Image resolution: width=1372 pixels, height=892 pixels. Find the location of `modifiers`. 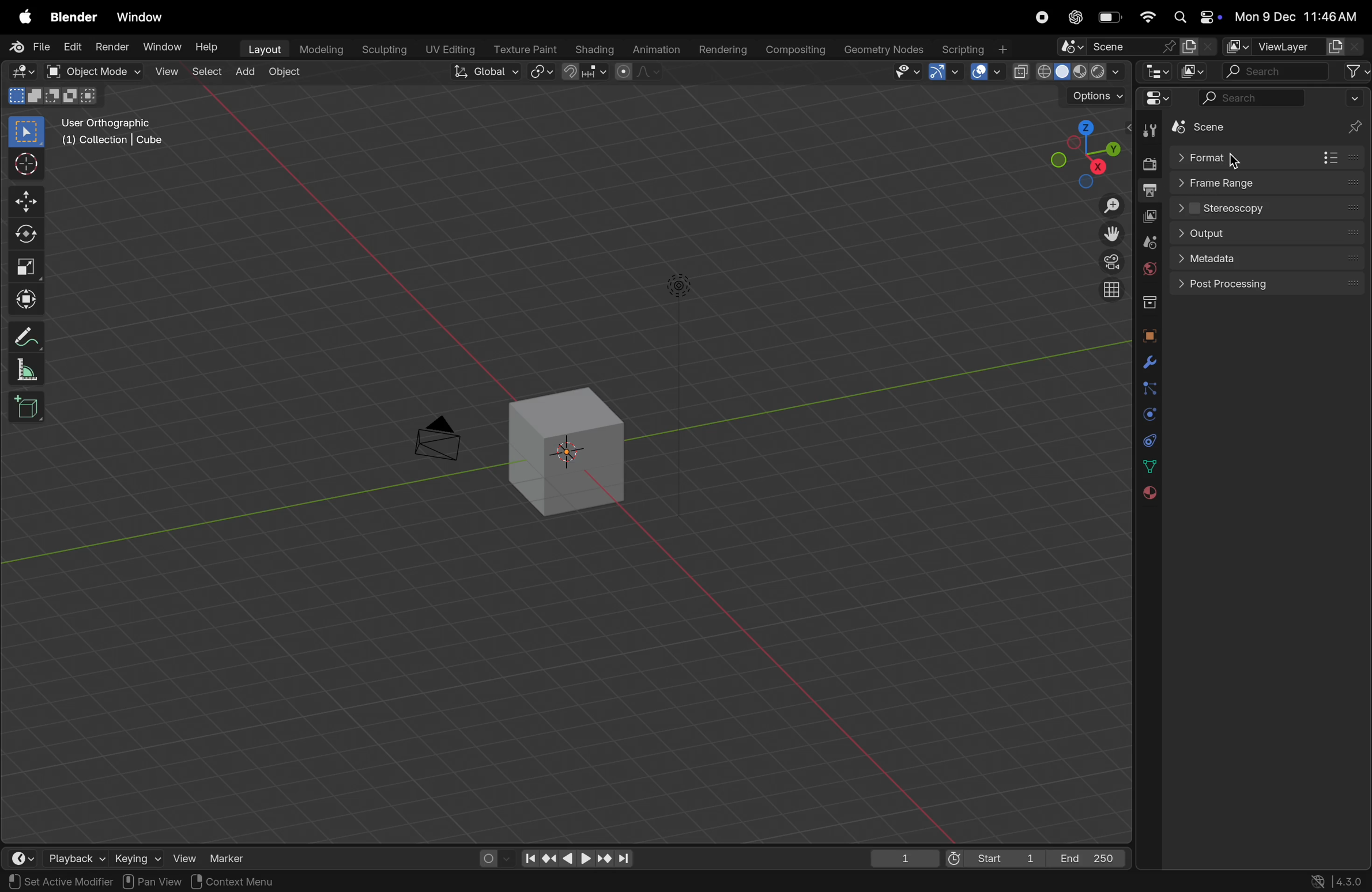

modifiers is located at coordinates (1148, 361).